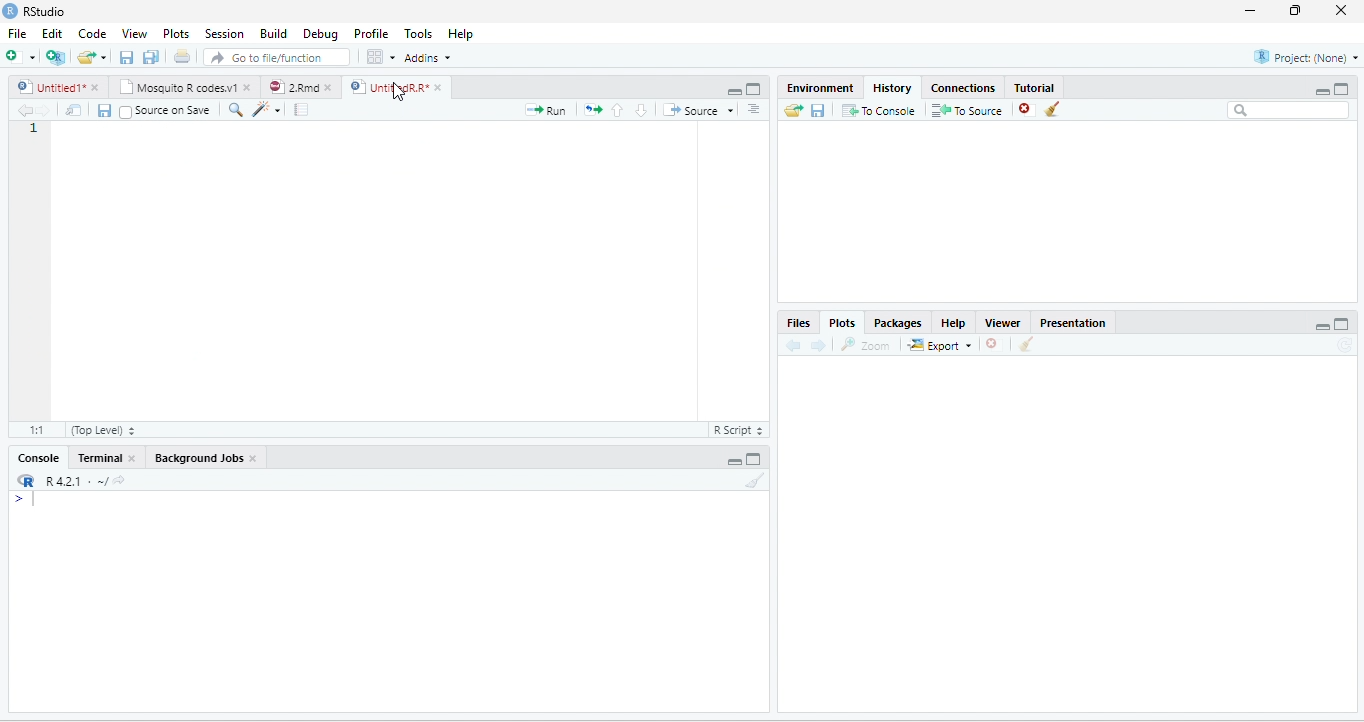  What do you see at coordinates (593, 110) in the screenshot?
I see `Re-run the previous code region` at bounding box center [593, 110].